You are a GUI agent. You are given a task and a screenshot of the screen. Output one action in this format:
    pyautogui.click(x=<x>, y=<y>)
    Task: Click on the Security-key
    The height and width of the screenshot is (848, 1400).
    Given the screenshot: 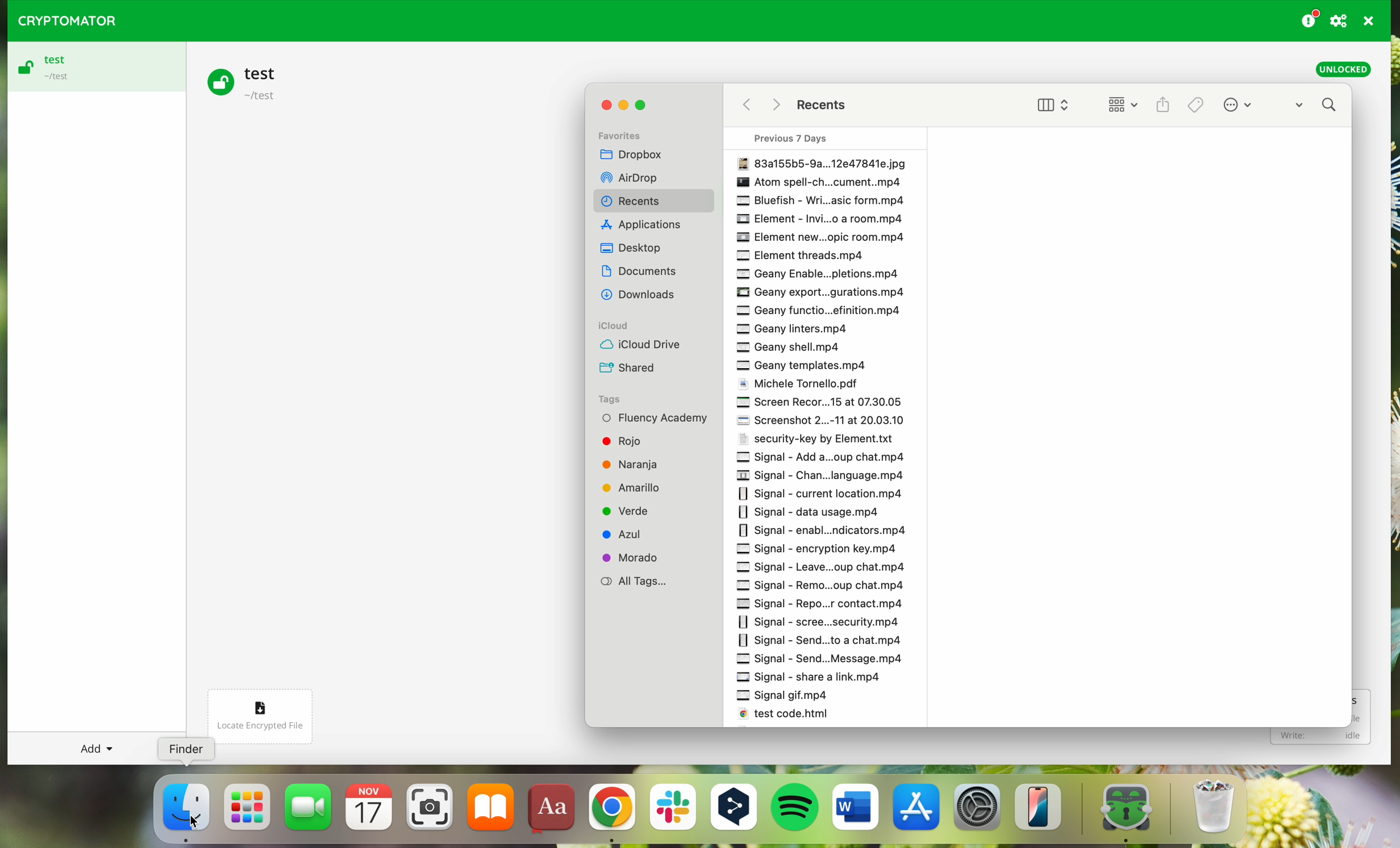 What is the action you would take?
    pyautogui.click(x=819, y=441)
    